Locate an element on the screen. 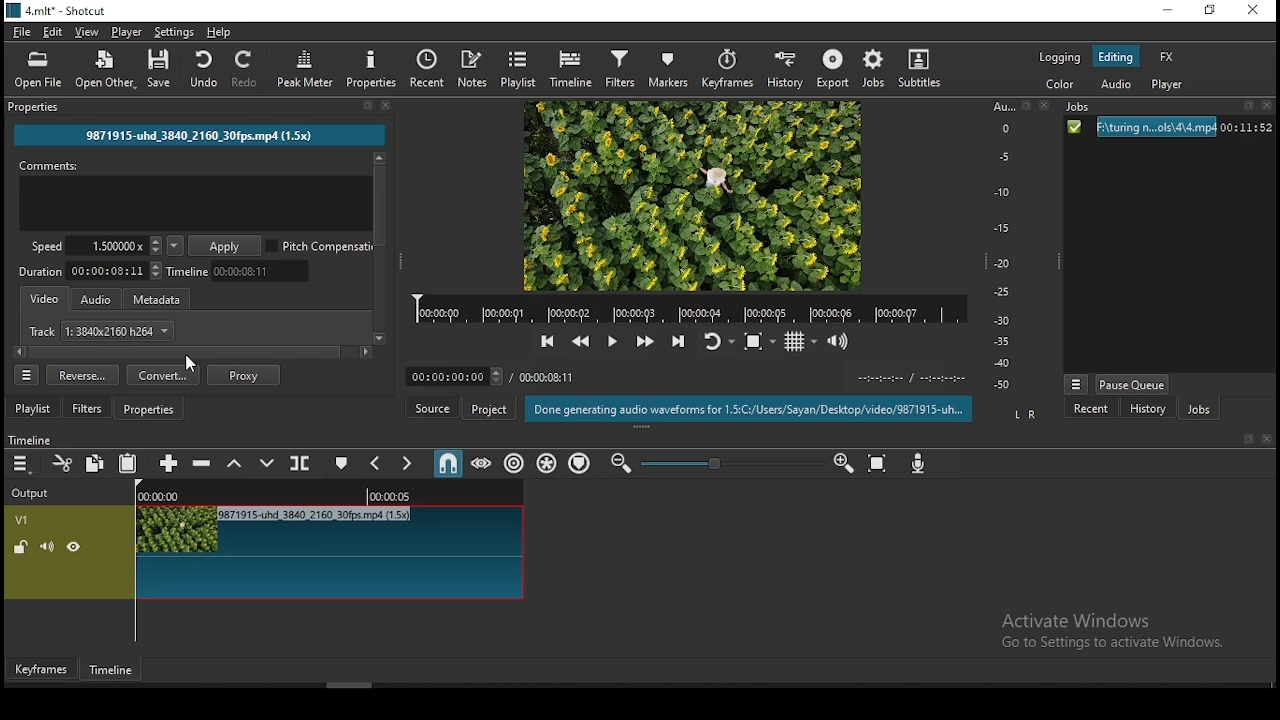  Output is located at coordinates (31, 492).